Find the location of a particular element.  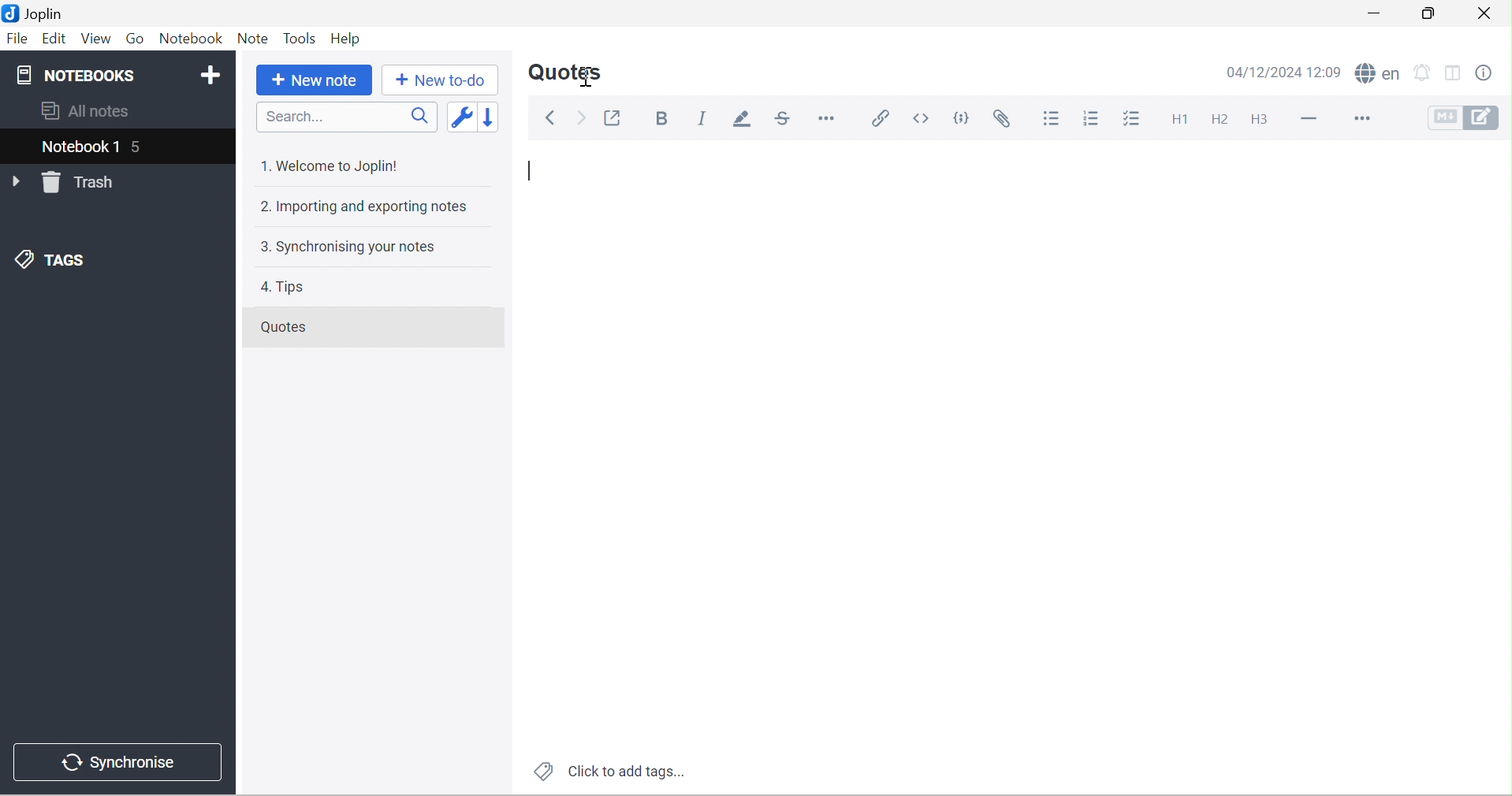

Note properties is located at coordinates (1494, 70).